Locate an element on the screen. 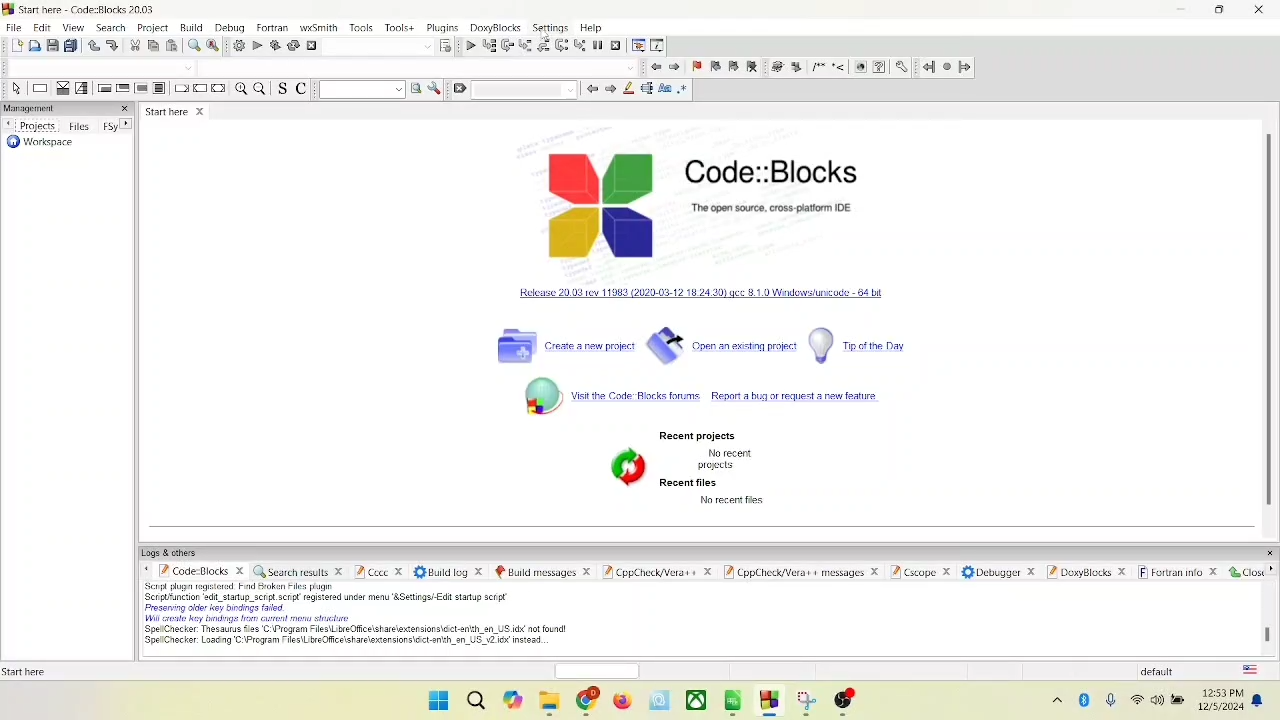 Image resolution: width=1280 pixels, height=720 pixels. copy is located at coordinates (152, 45).